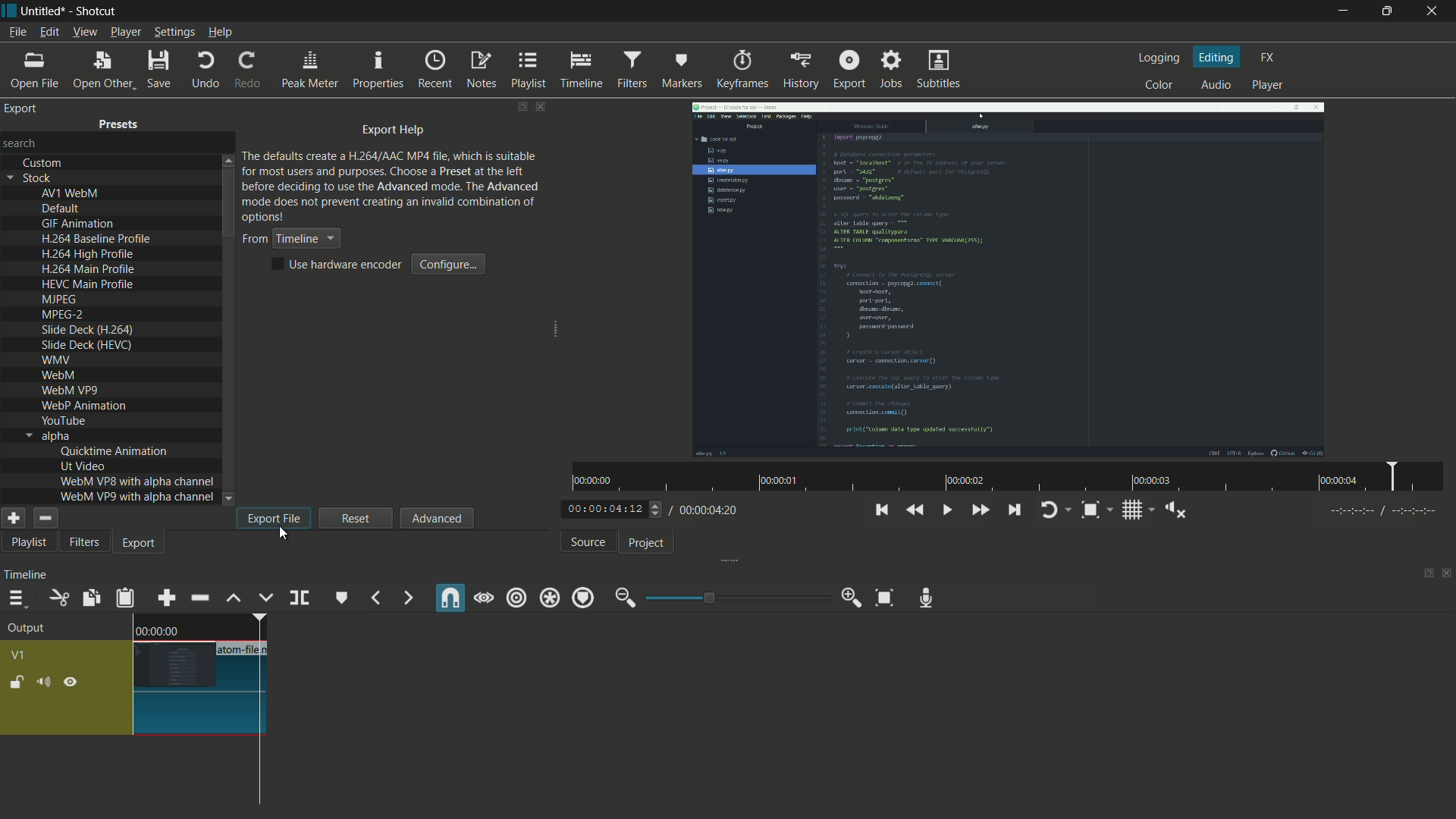 The height and width of the screenshot is (819, 1456). I want to click on text, so click(392, 185).